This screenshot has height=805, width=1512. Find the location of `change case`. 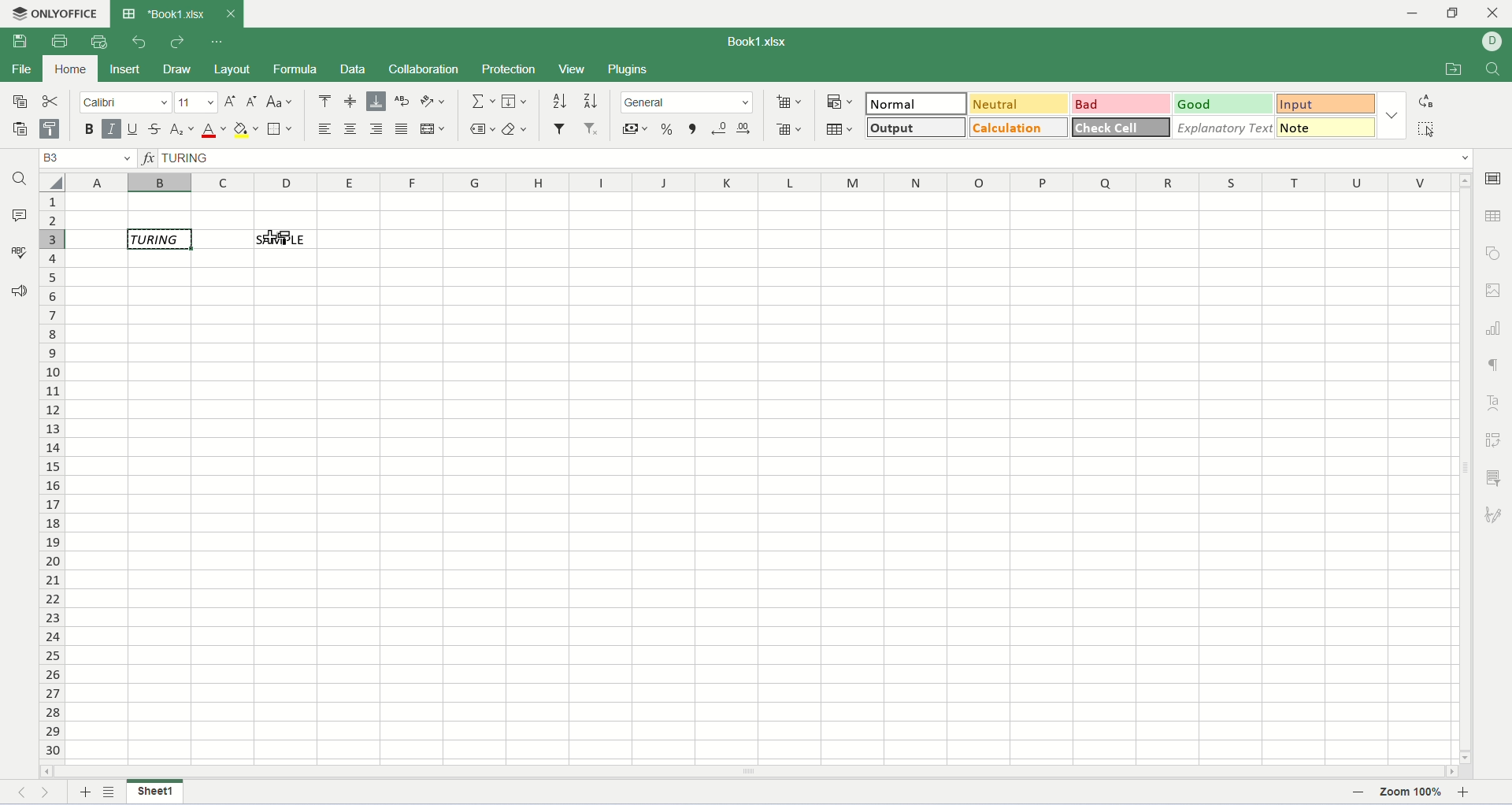

change case is located at coordinates (279, 101).